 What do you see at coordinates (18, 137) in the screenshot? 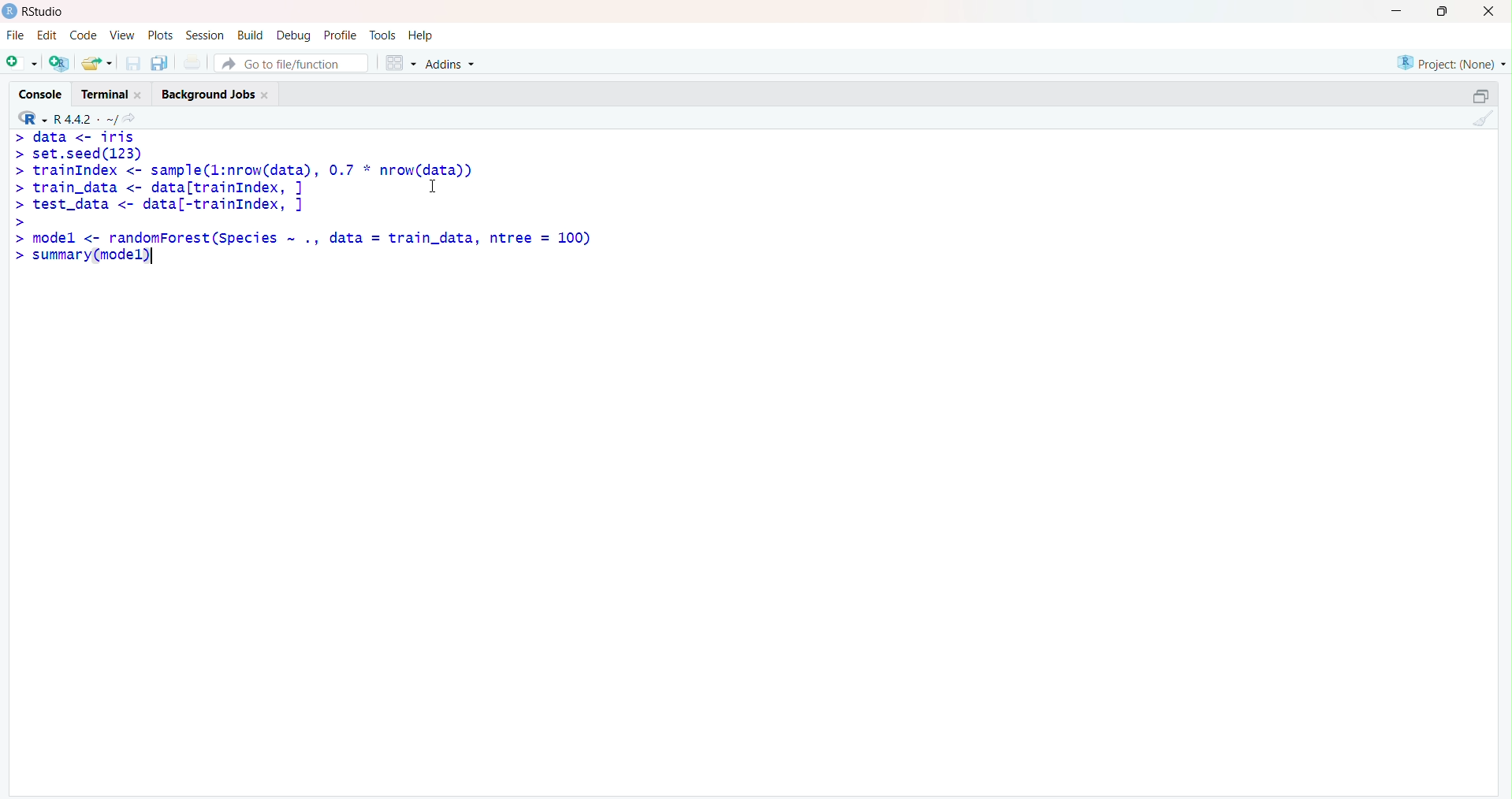
I see `Prompt cursor` at bounding box center [18, 137].